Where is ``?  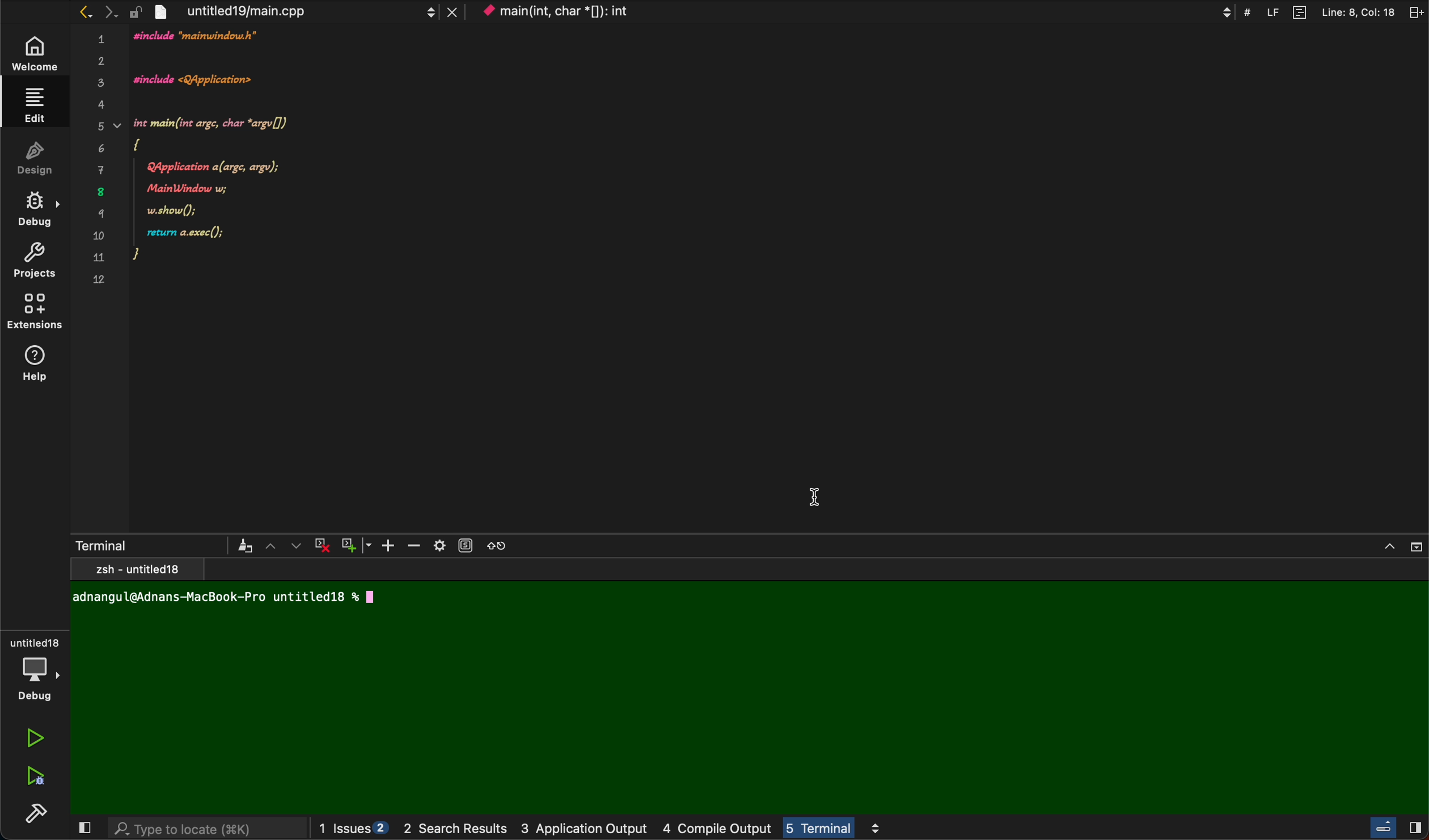  is located at coordinates (1392, 830).